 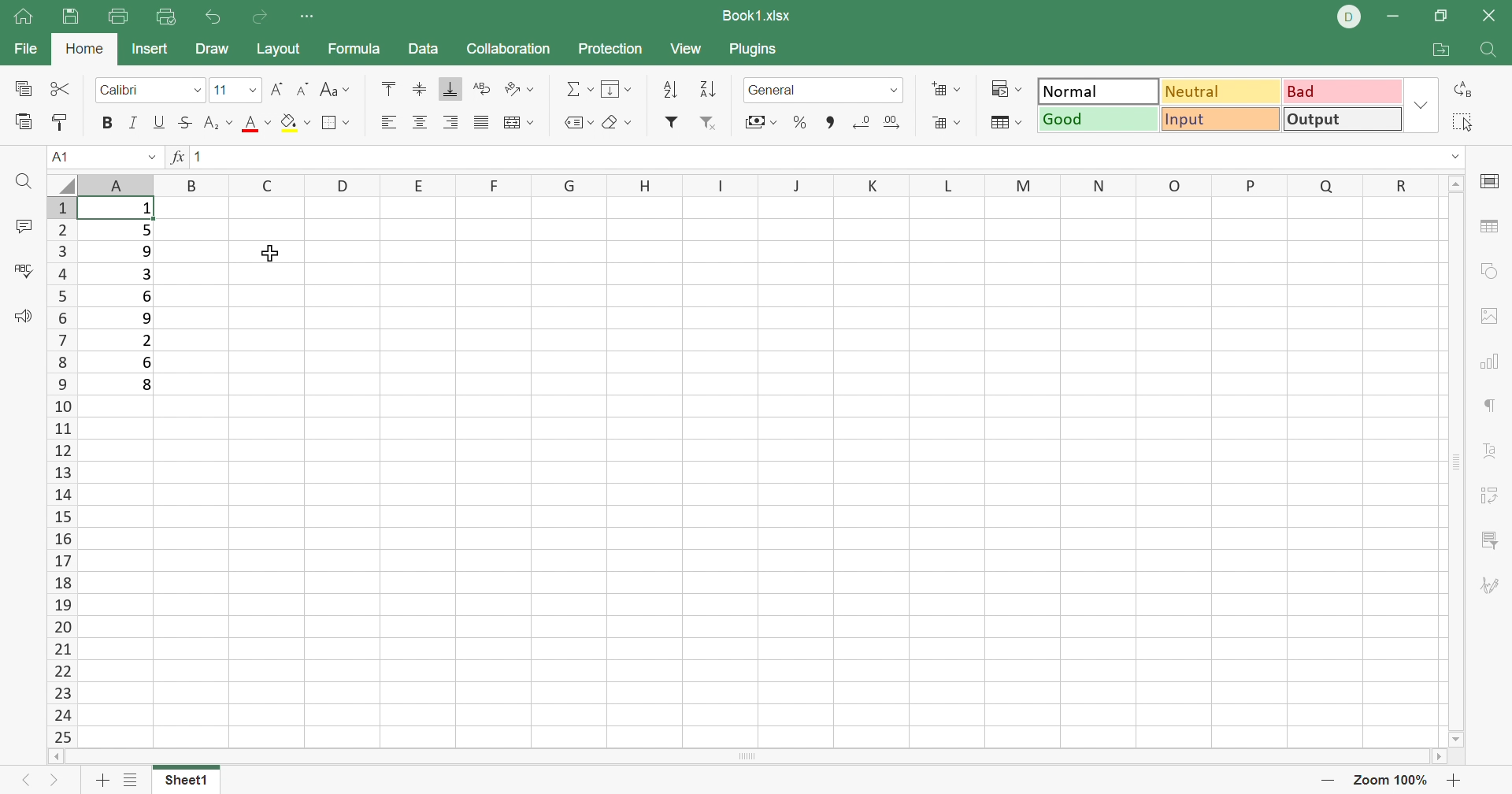 I want to click on Scroll up, so click(x=1458, y=182).